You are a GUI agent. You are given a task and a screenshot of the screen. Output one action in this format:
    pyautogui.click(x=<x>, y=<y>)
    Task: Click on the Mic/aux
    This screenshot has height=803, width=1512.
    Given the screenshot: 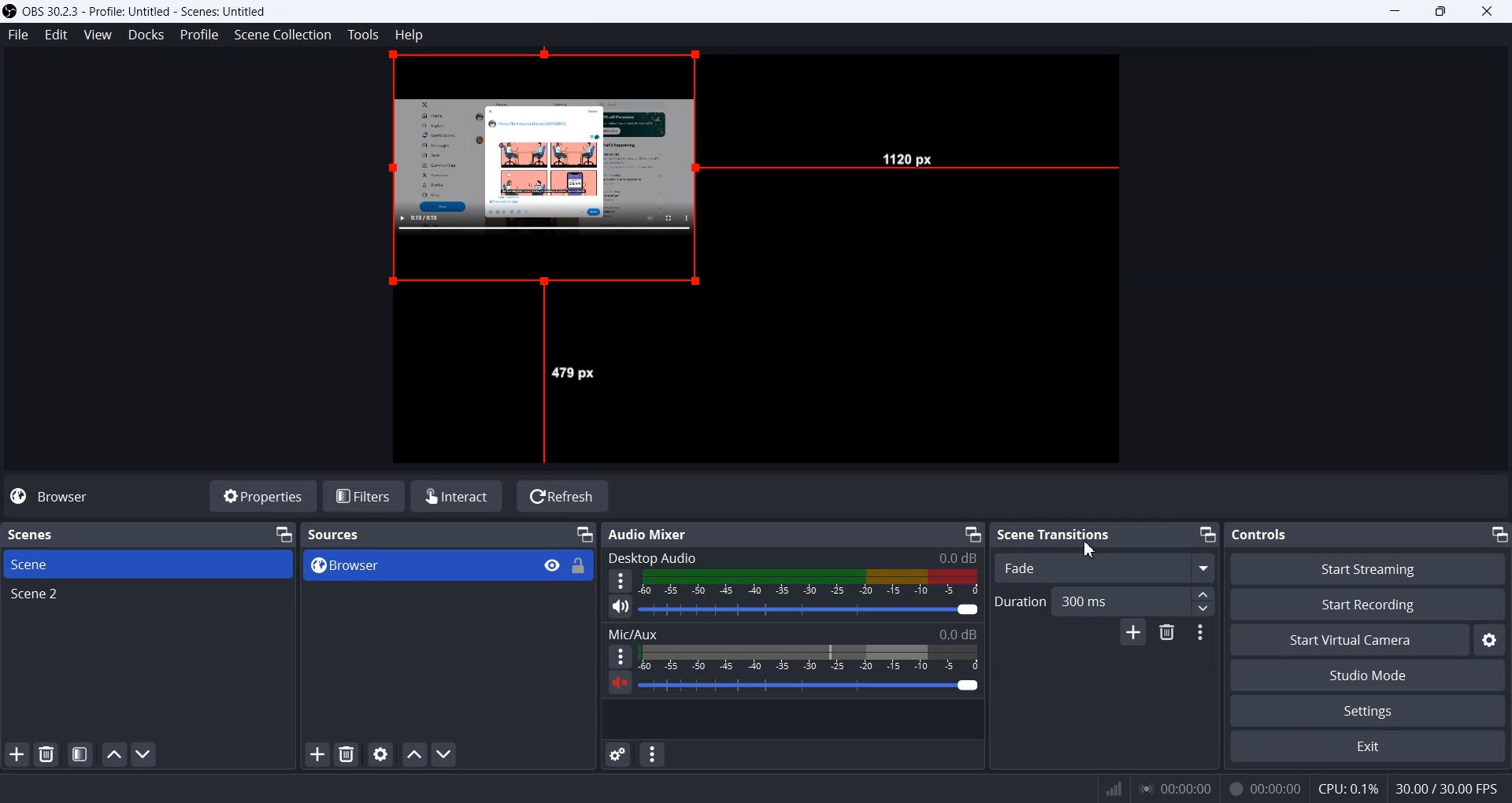 What is the action you would take?
    pyautogui.click(x=794, y=631)
    